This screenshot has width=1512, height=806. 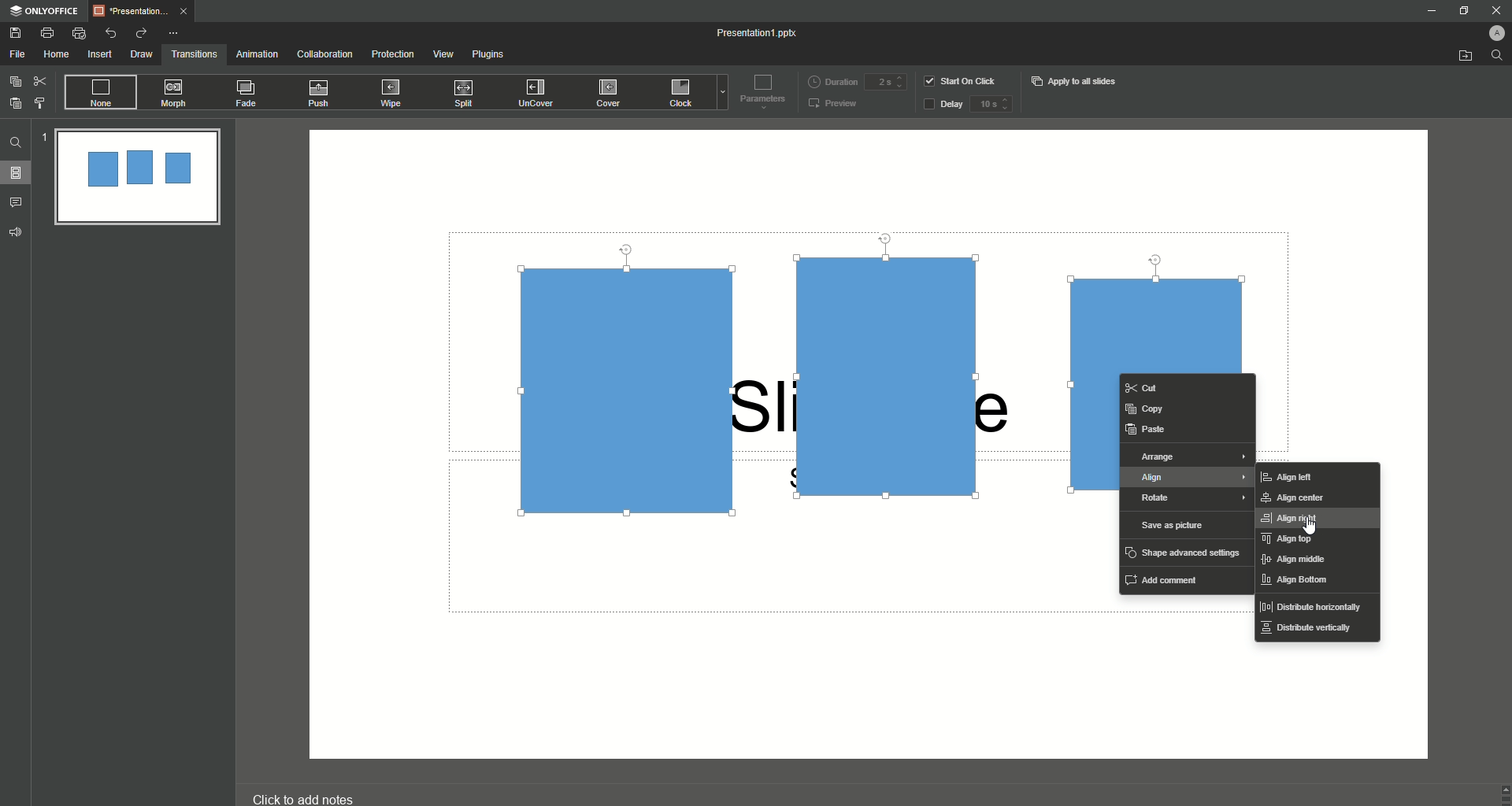 I want to click on Restore, so click(x=1460, y=11).